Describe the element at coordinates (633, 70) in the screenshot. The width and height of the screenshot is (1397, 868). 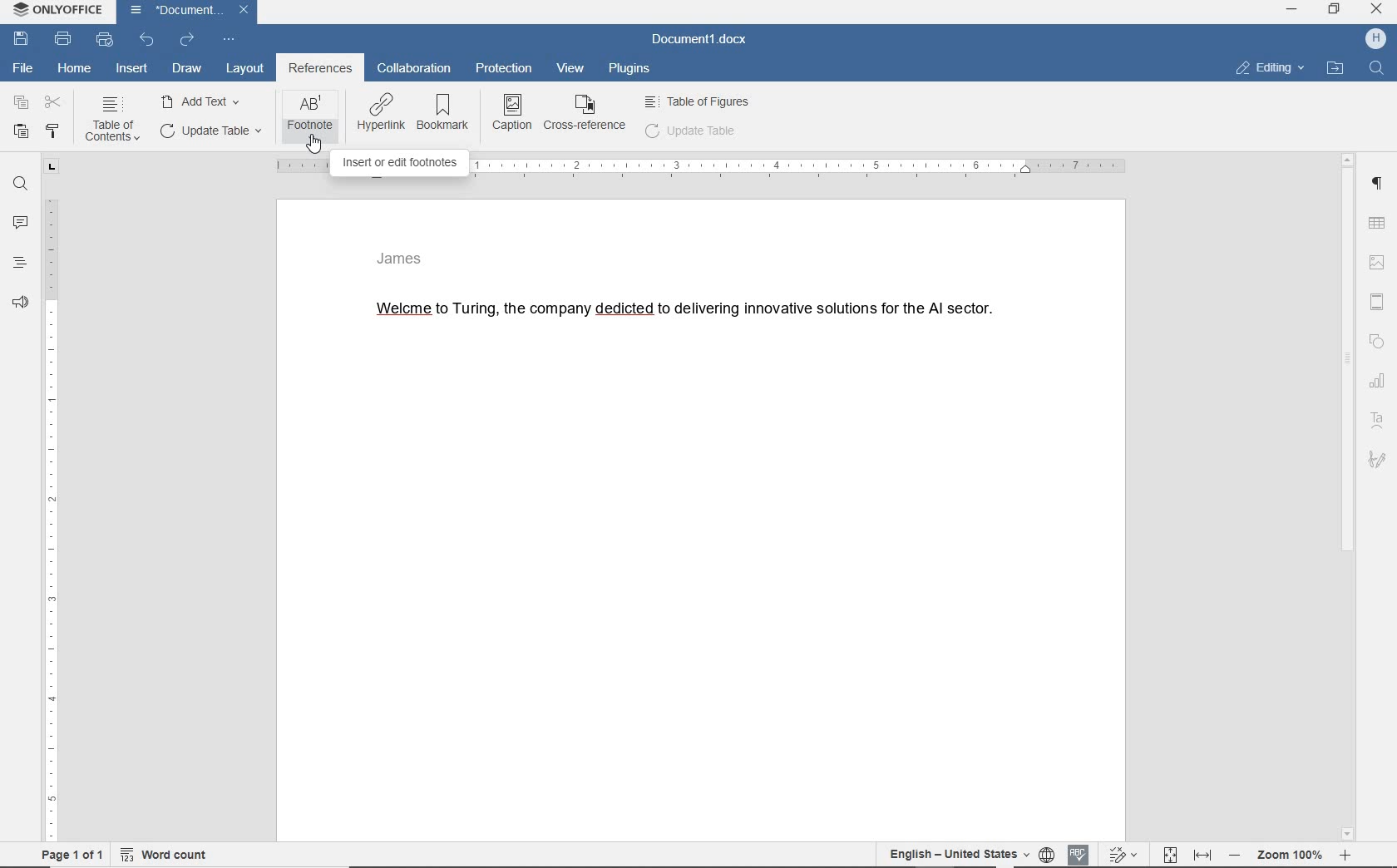
I see `plugins` at that location.